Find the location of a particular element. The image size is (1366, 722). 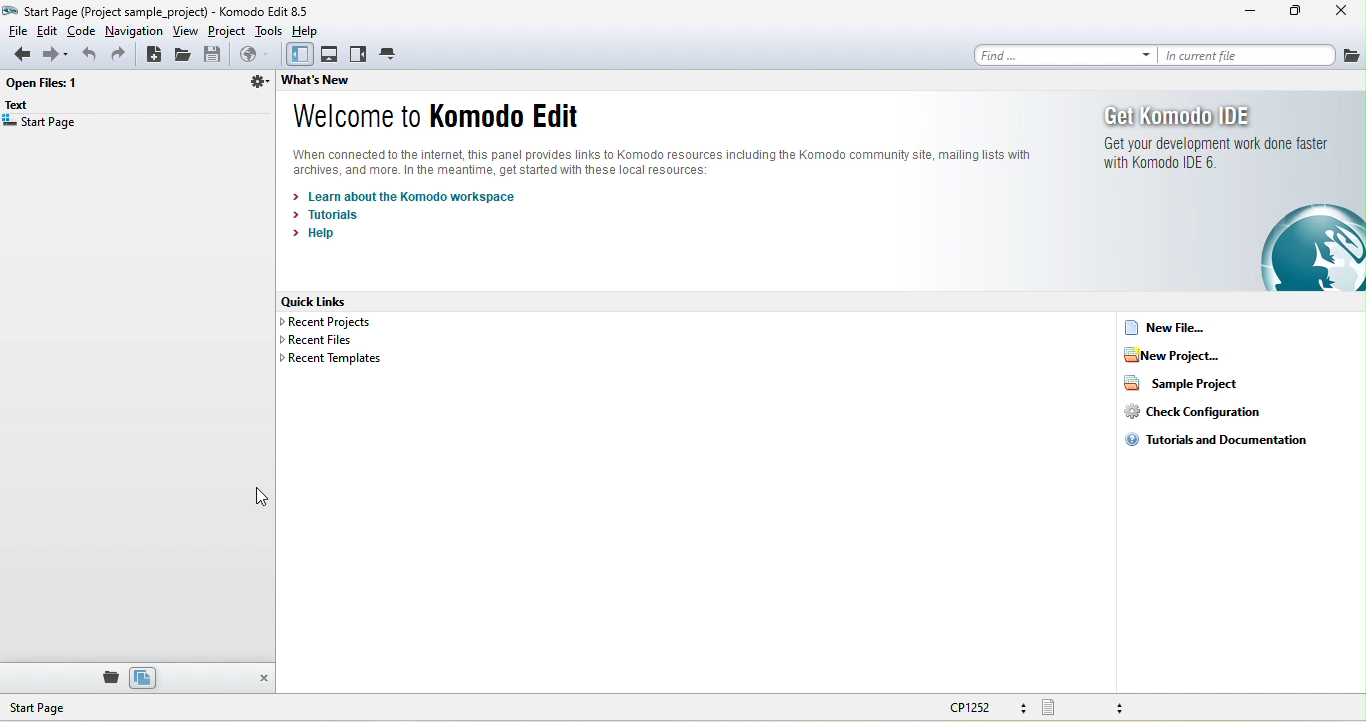

in current file is located at coordinates (1246, 55).